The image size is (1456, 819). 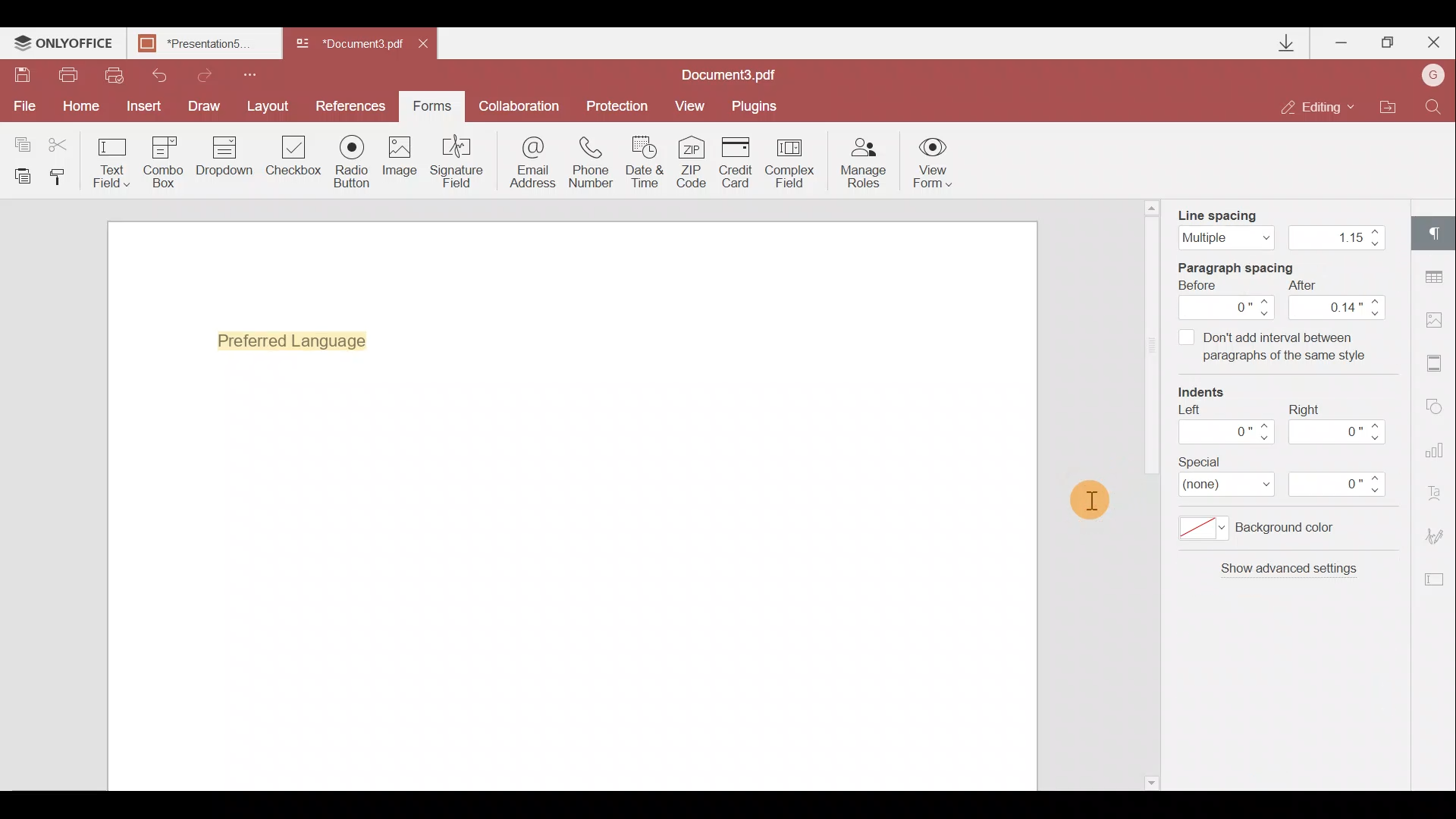 What do you see at coordinates (78, 106) in the screenshot?
I see `Home` at bounding box center [78, 106].